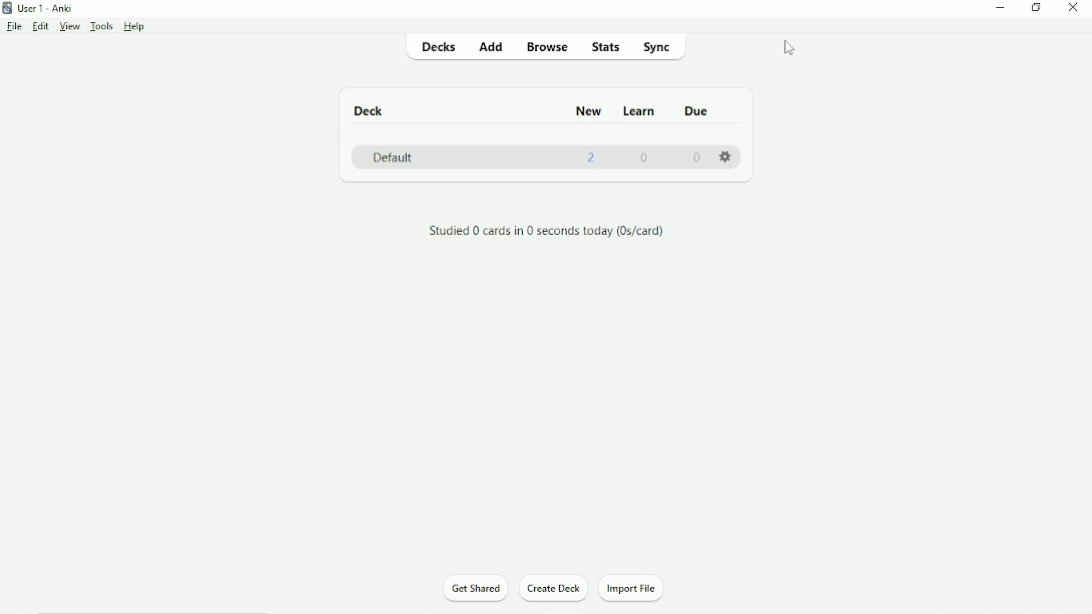 The width and height of the screenshot is (1092, 614). What do you see at coordinates (135, 27) in the screenshot?
I see `Help` at bounding box center [135, 27].